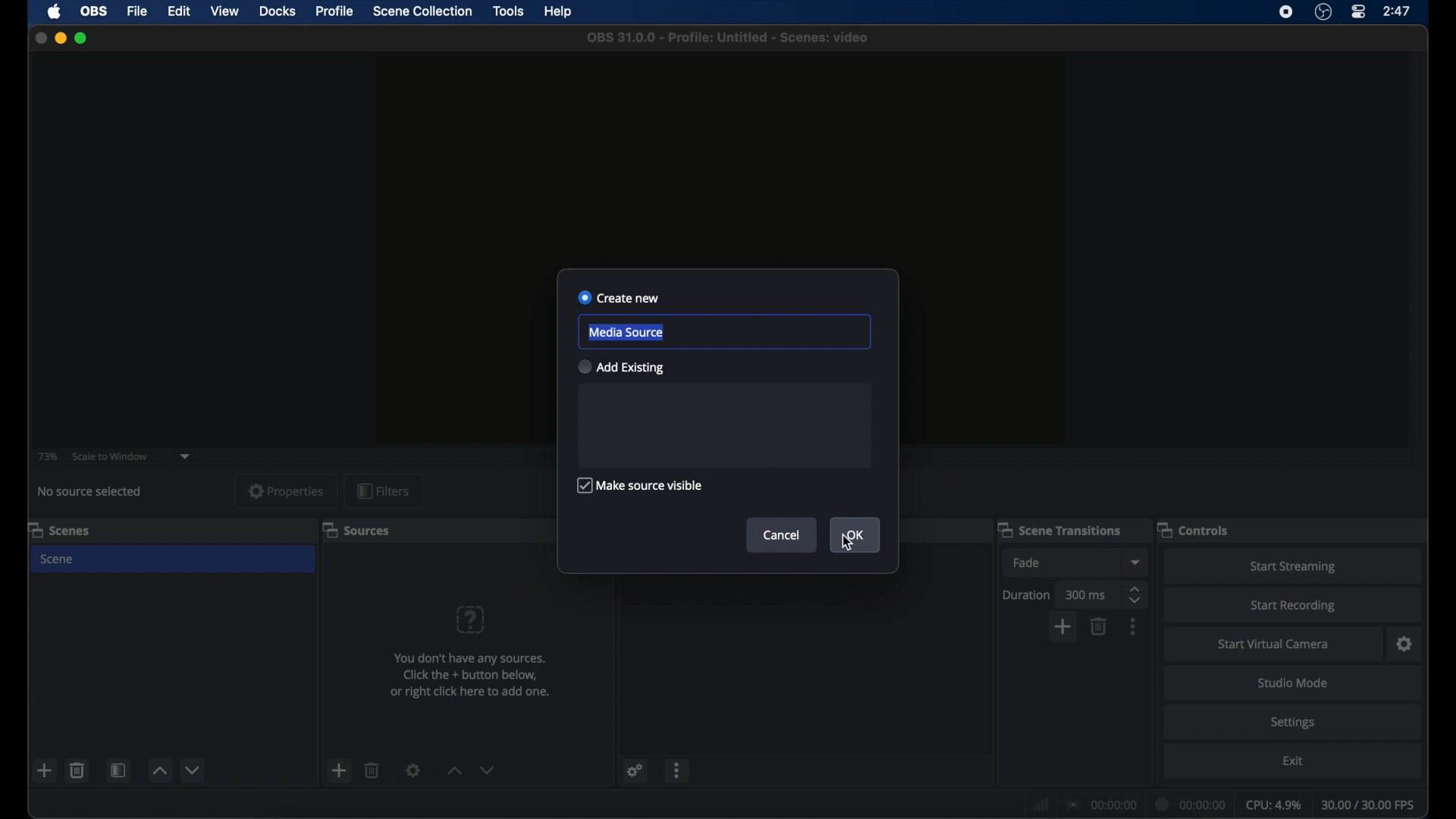 The height and width of the screenshot is (819, 1456). What do you see at coordinates (49, 457) in the screenshot?
I see `73%` at bounding box center [49, 457].